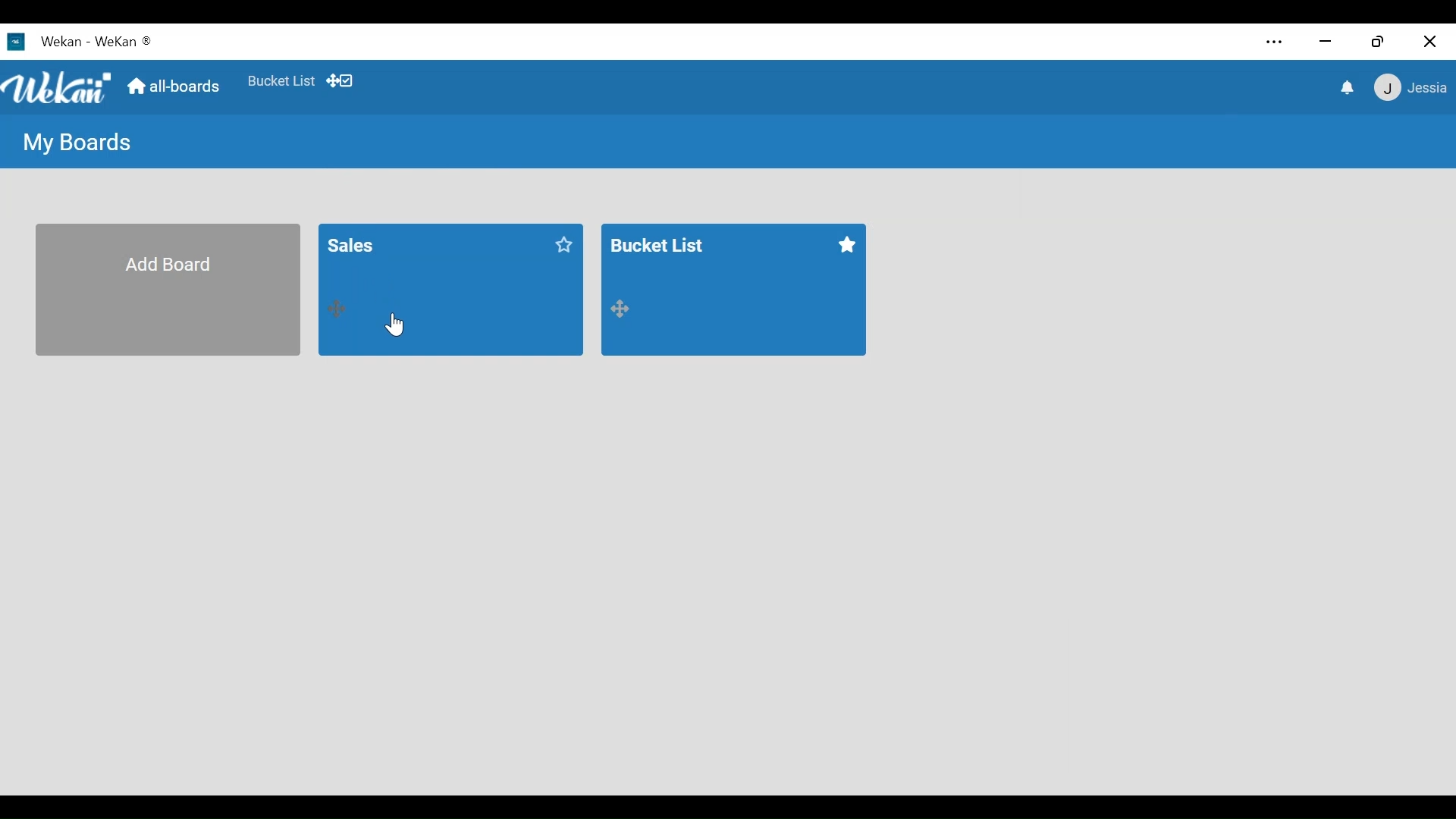 Image resolution: width=1456 pixels, height=819 pixels. What do you see at coordinates (1429, 43) in the screenshot?
I see `Close` at bounding box center [1429, 43].